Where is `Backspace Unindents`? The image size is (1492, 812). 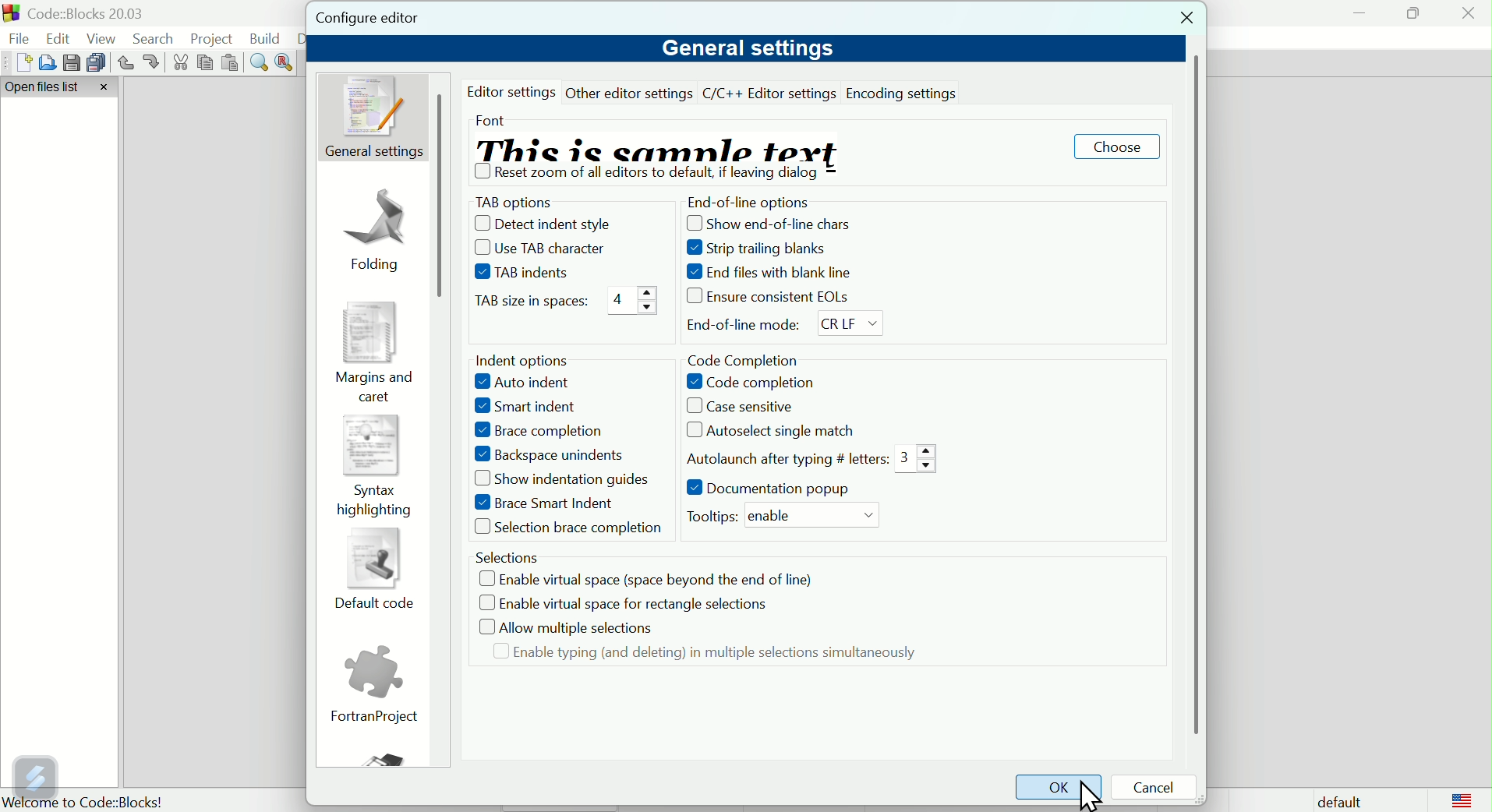 Backspace Unindents is located at coordinates (552, 453).